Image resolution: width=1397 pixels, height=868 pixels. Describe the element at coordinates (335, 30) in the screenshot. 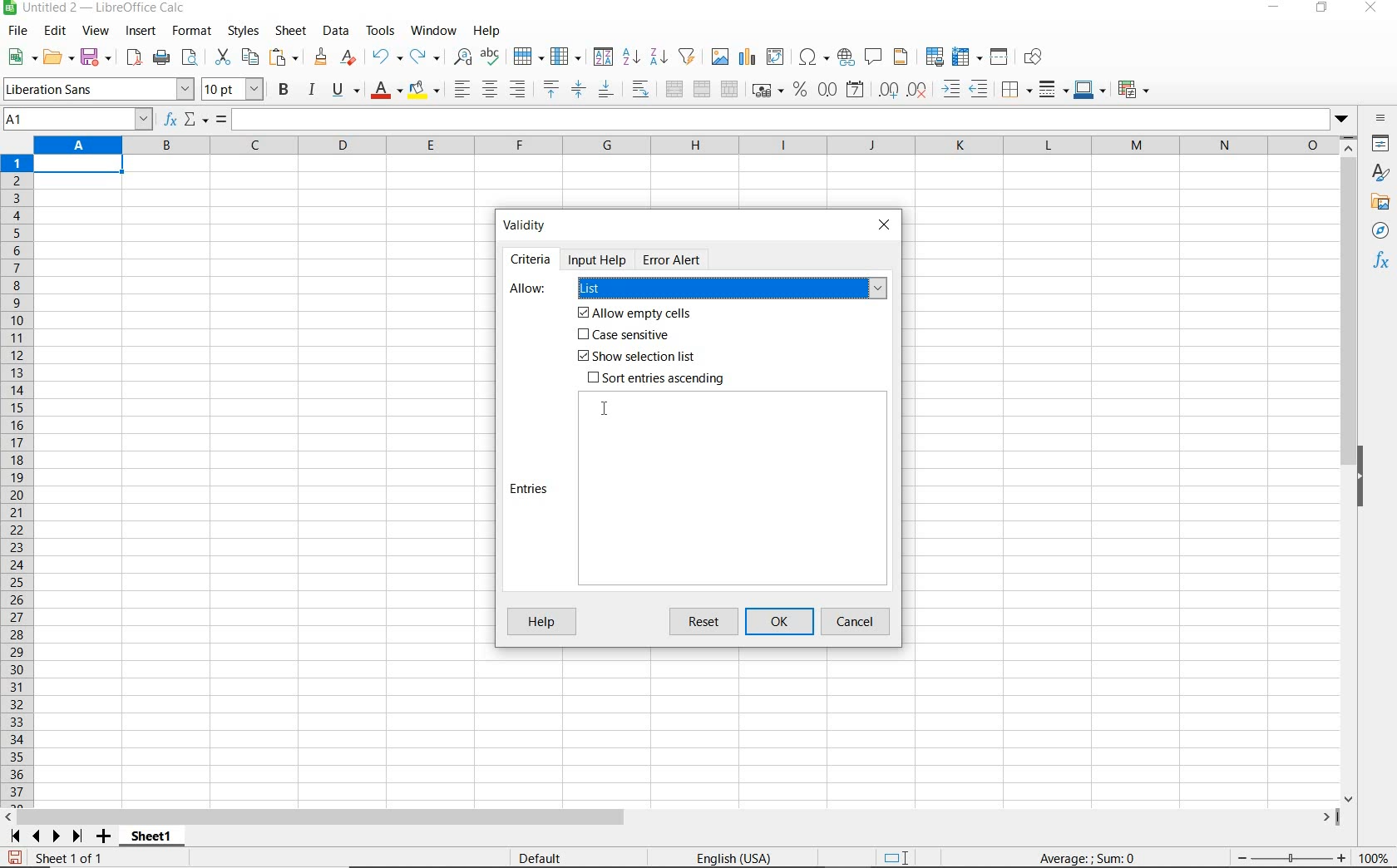

I see `data` at that location.